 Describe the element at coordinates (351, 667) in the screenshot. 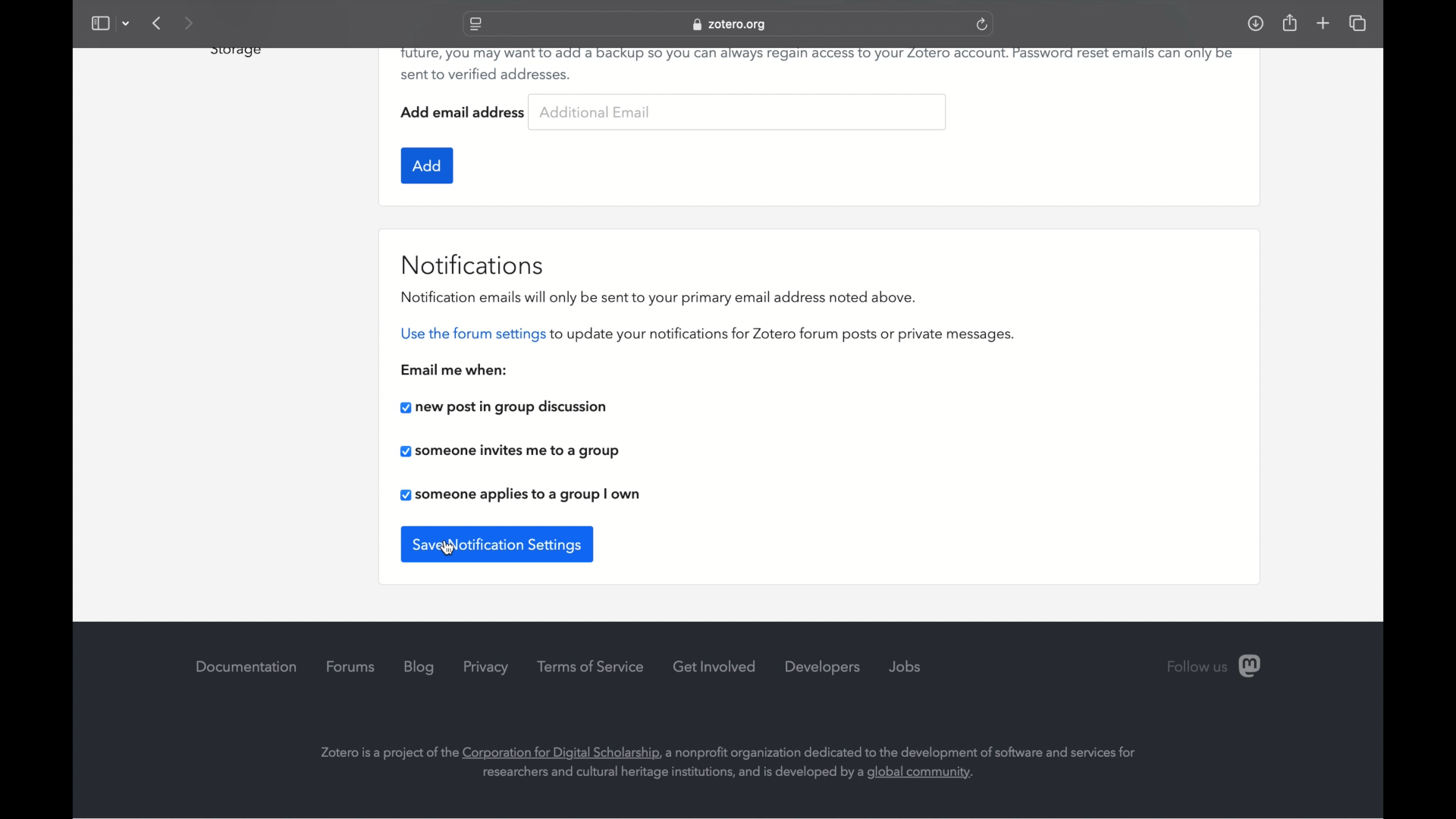

I see `forums` at that location.